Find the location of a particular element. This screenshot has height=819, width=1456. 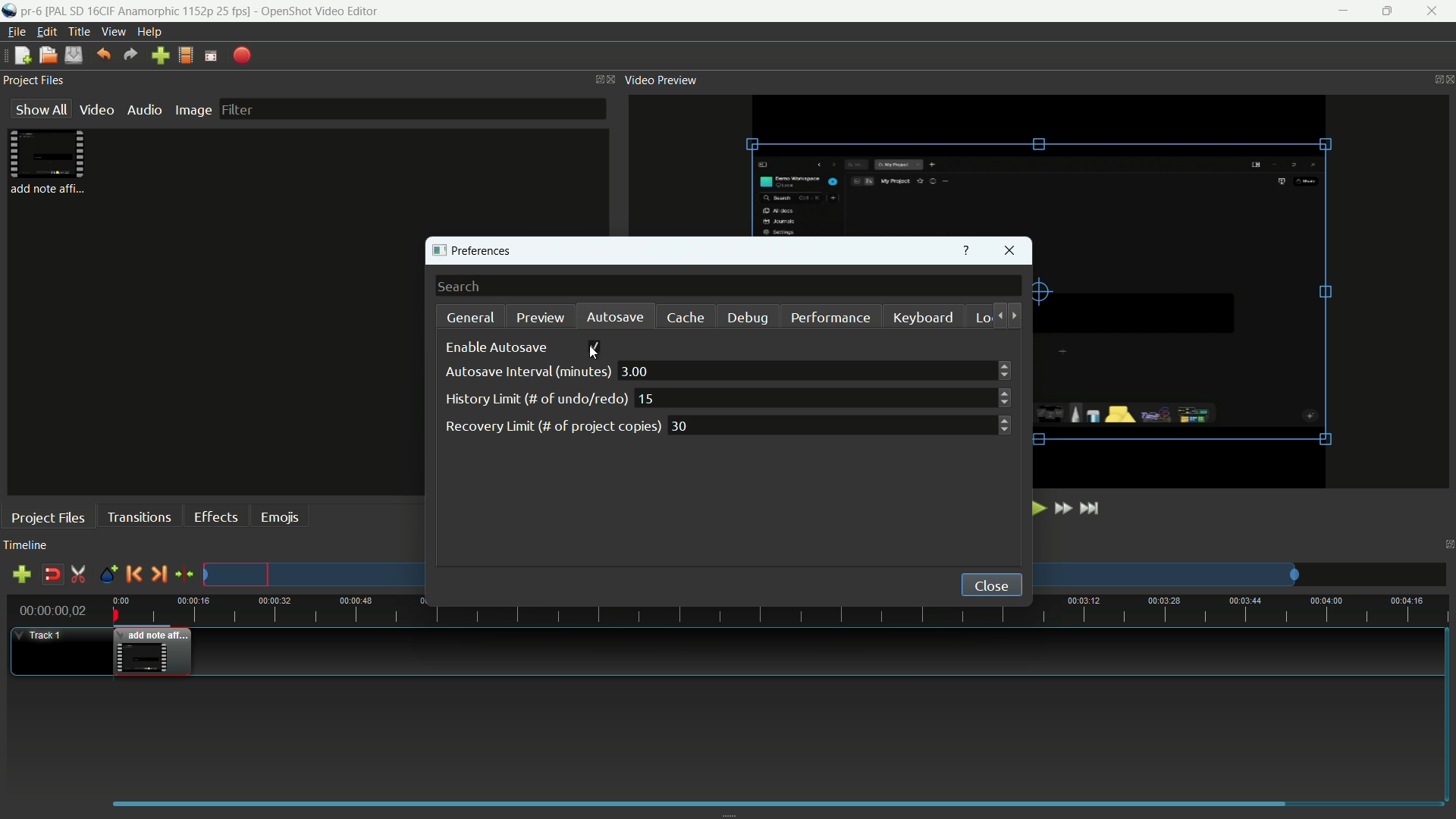

create marker is located at coordinates (108, 575).